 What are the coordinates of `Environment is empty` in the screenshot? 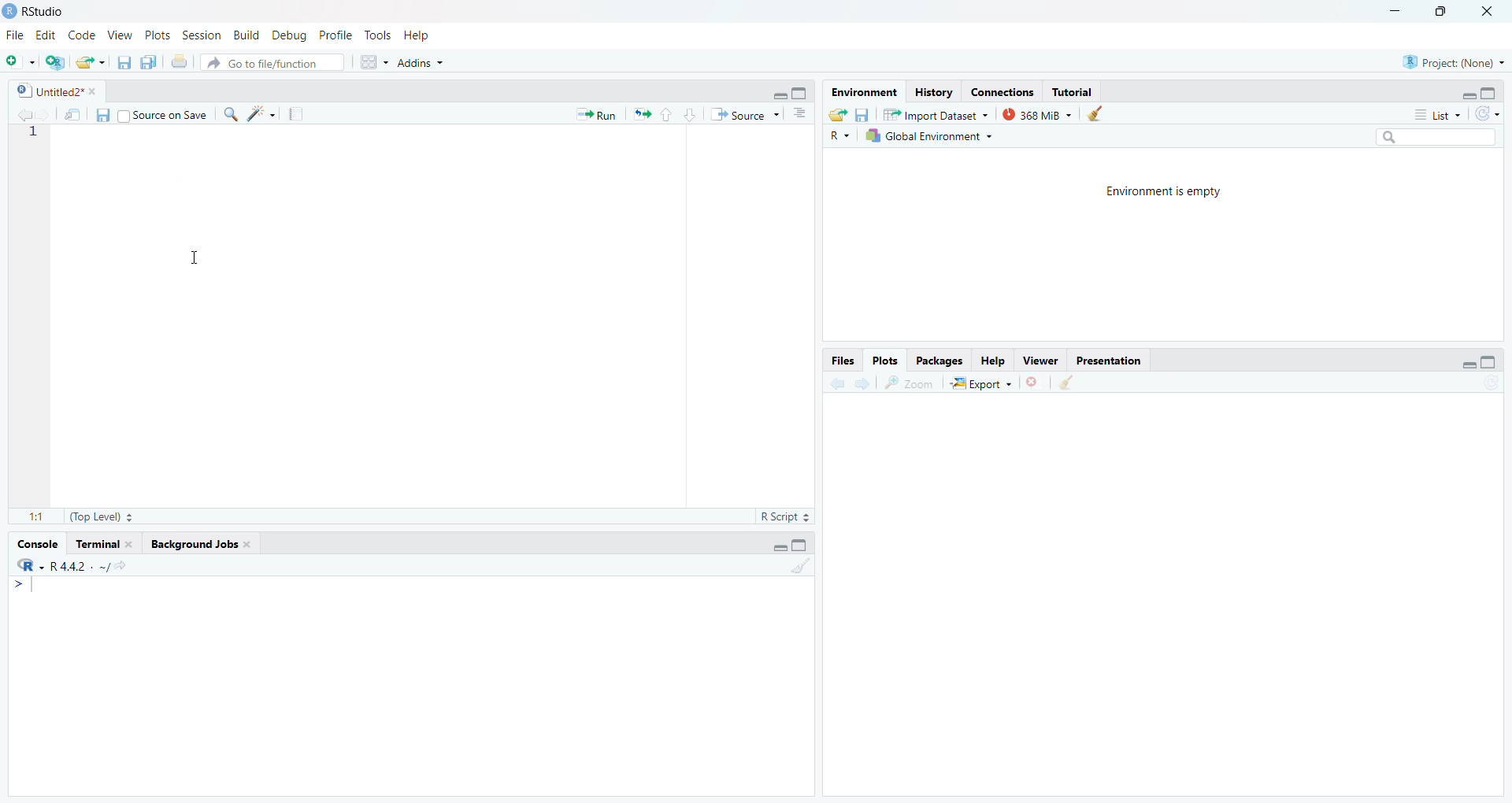 It's located at (1170, 192).